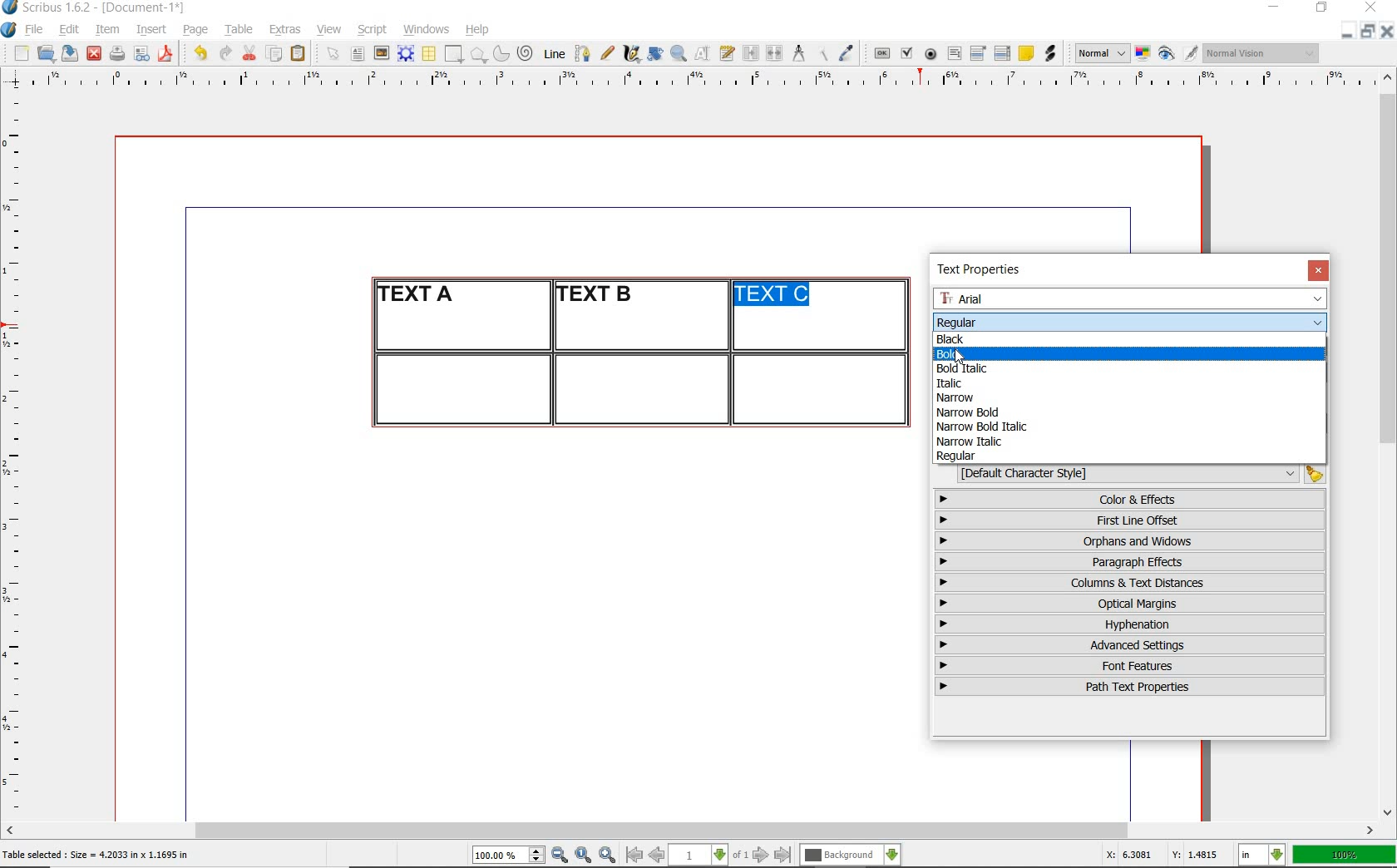 The height and width of the screenshot is (868, 1397). Describe the element at coordinates (703, 52) in the screenshot. I see `edit contents of frame` at that location.